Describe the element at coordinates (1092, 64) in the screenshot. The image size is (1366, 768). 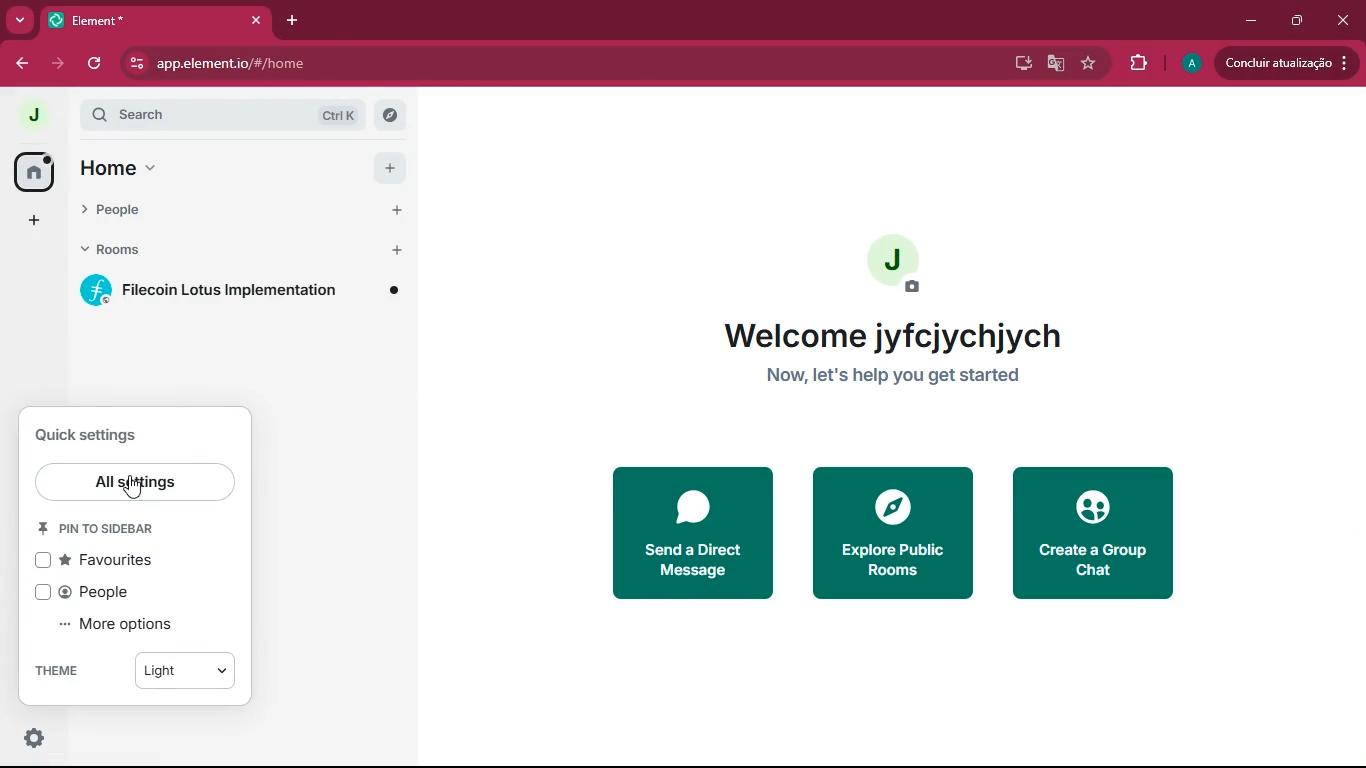
I see `favourite` at that location.